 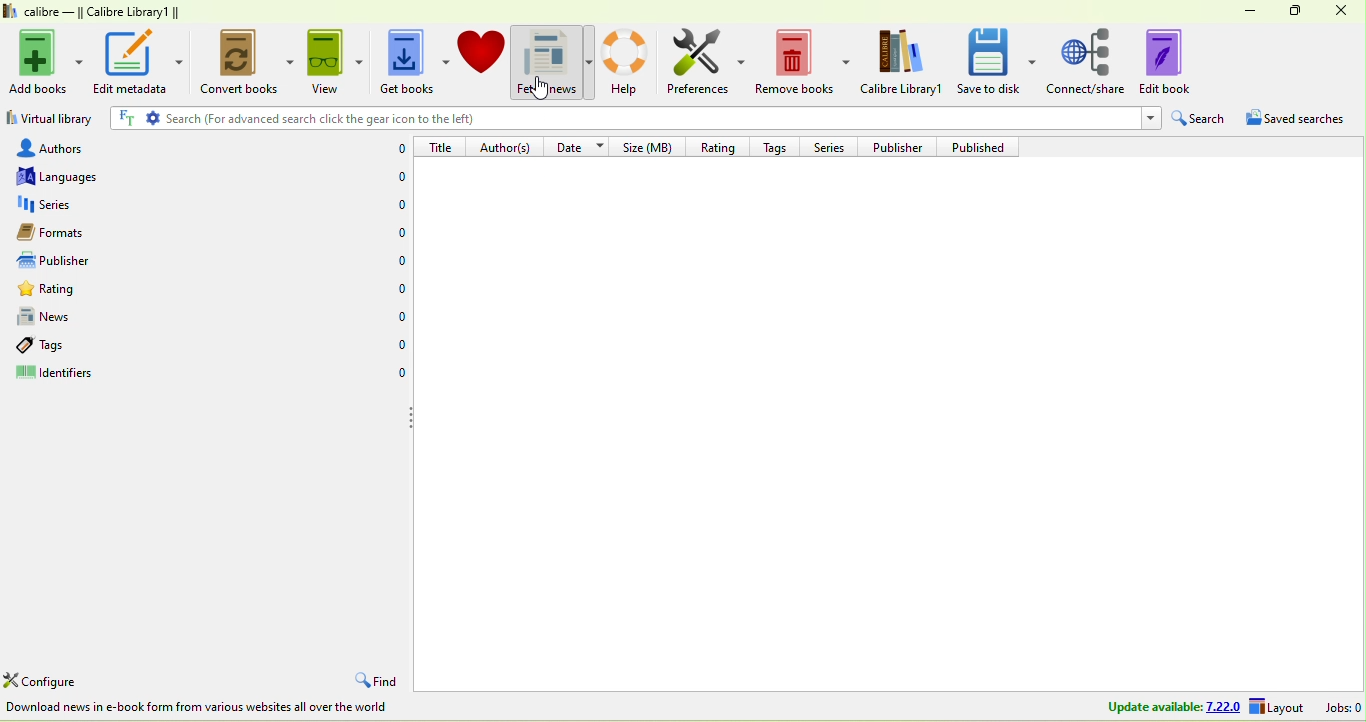 What do you see at coordinates (154, 146) in the screenshot?
I see `authors` at bounding box center [154, 146].